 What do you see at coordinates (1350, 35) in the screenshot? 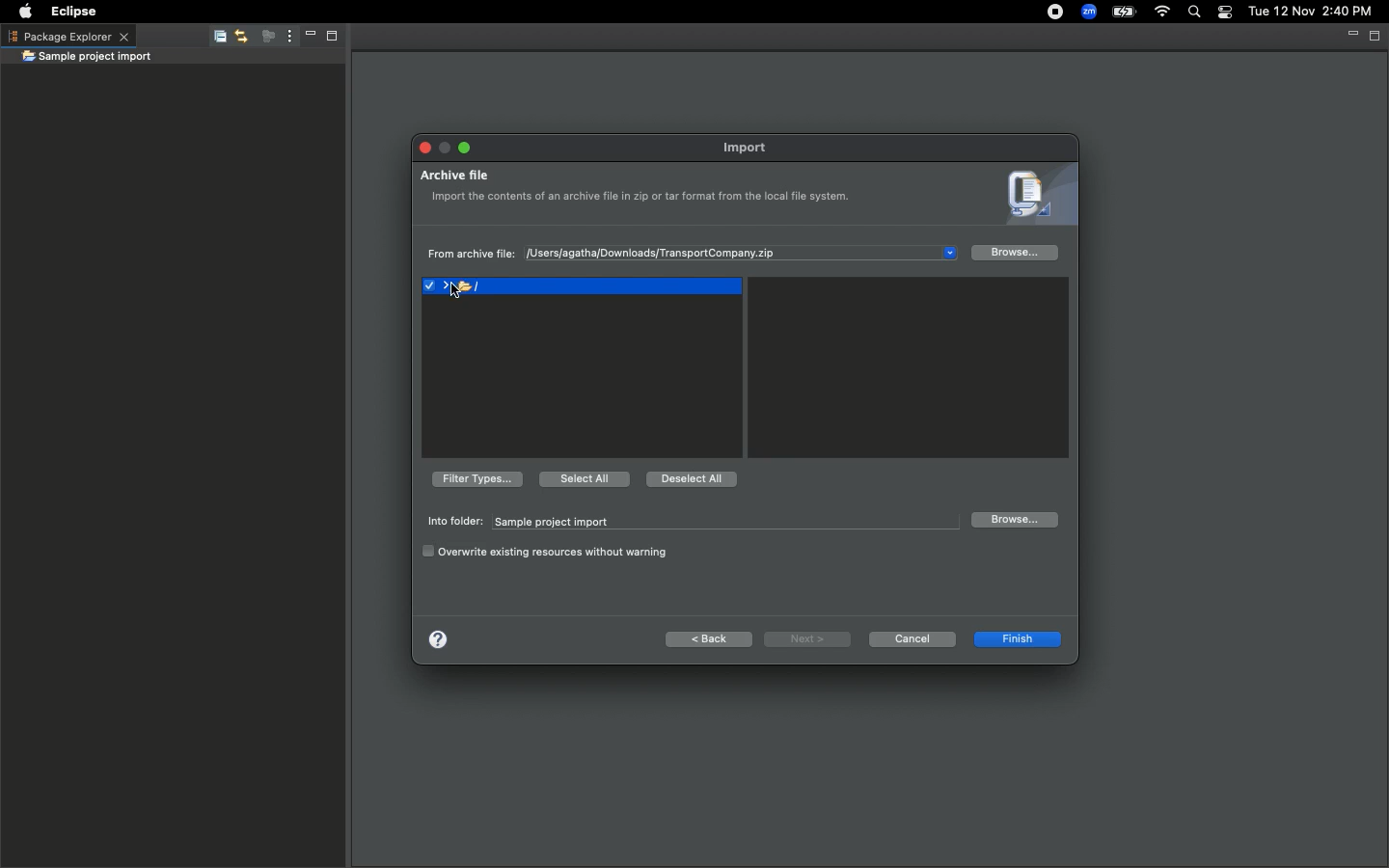
I see `Minimize` at bounding box center [1350, 35].